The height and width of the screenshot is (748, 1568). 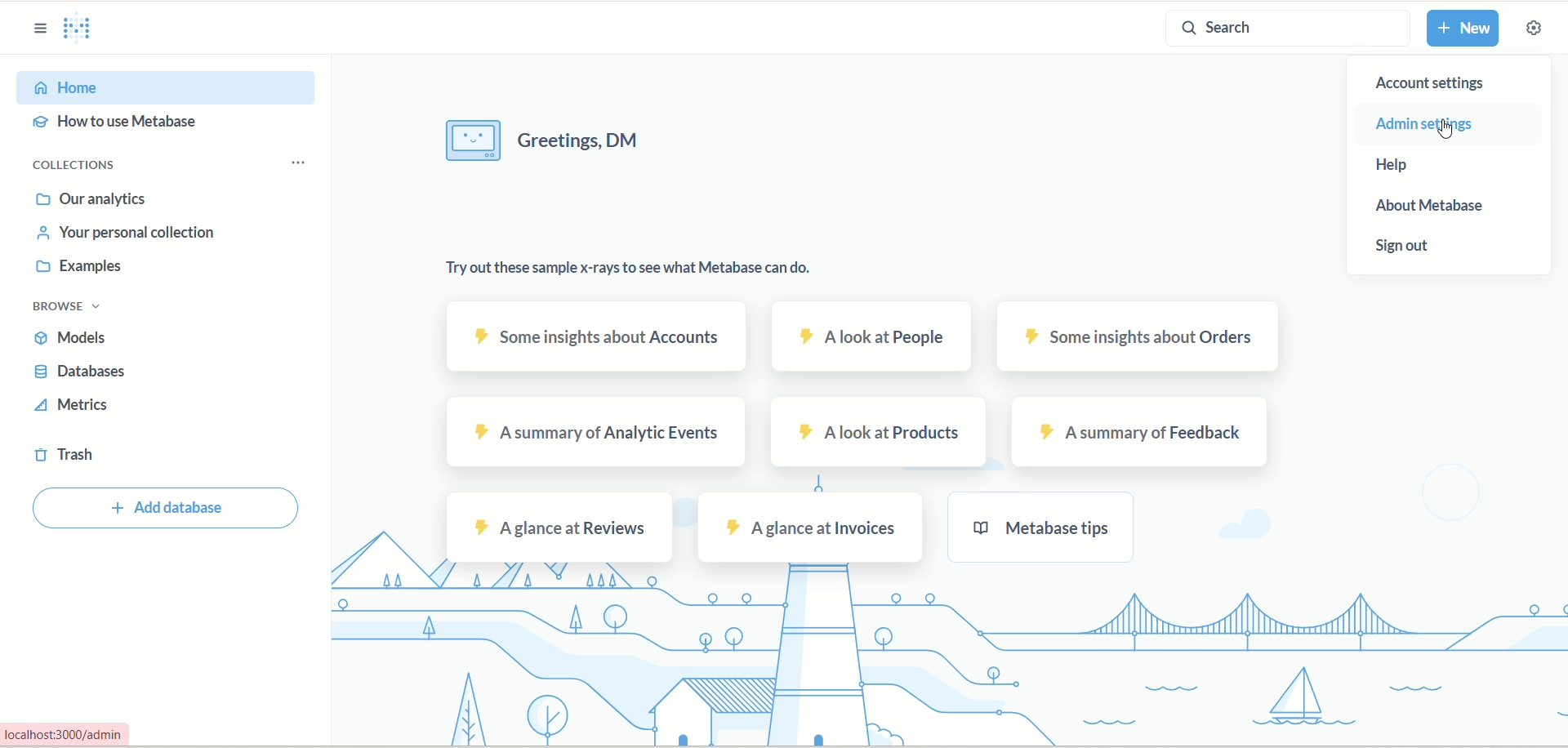 I want to click on admin settings, so click(x=1427, y=126).